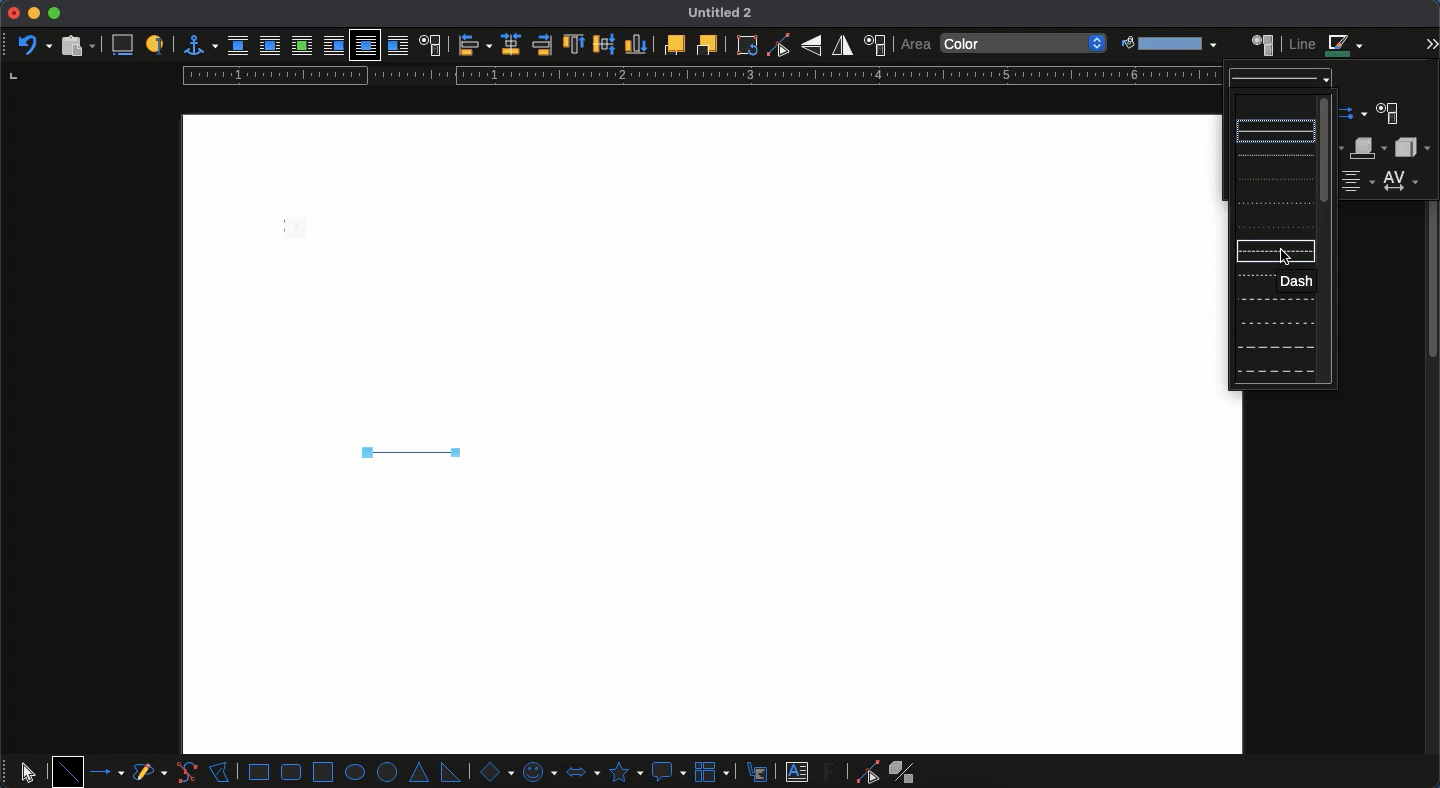 The width and height of the screenshot is (1440, 788). What do you see at coordinates (605, 42) in the screenshot?
I see `center` at bounding box center [605, 42].